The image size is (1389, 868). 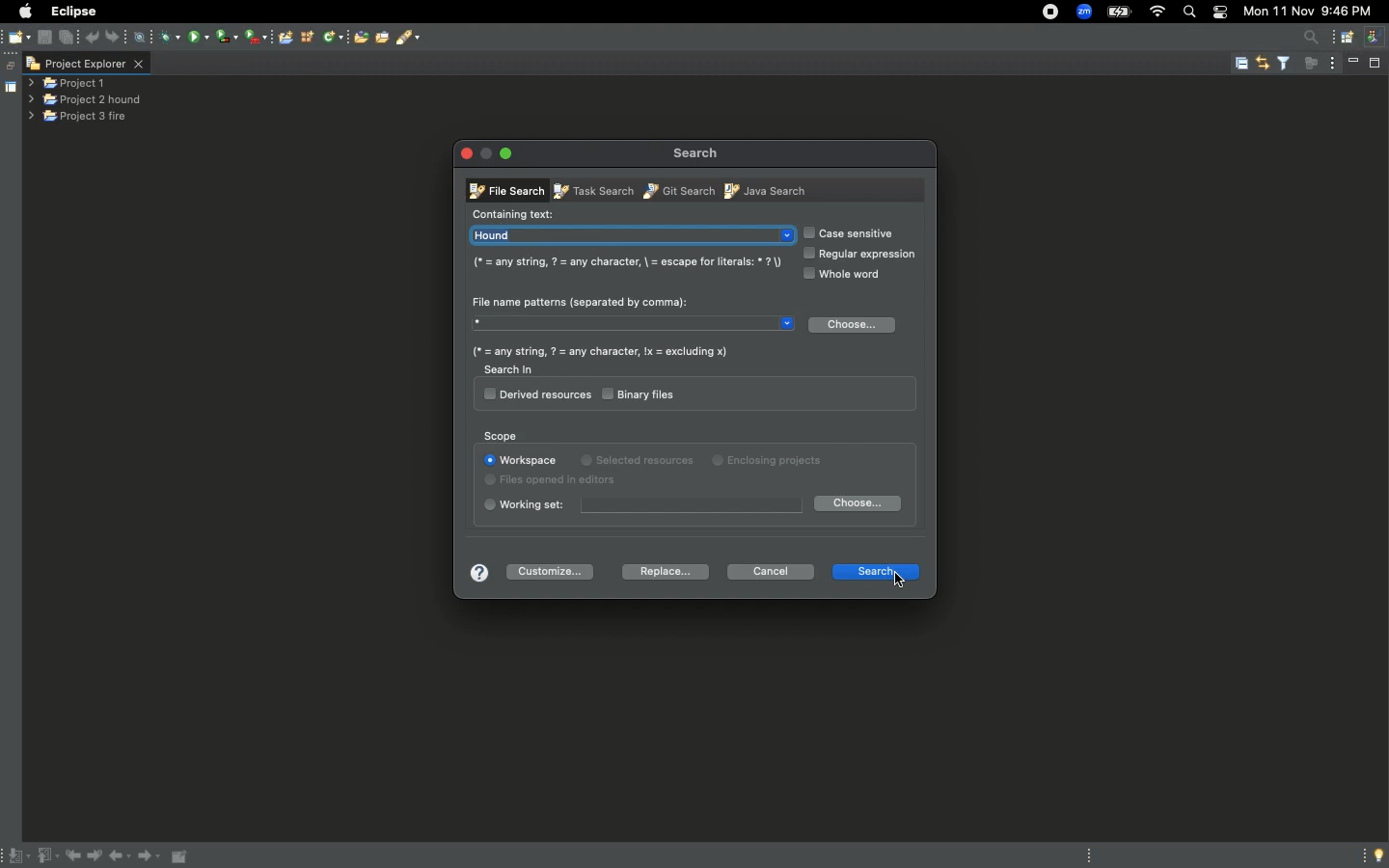 What do you see at coordinates (68, 84) in the screenshot?
I see `project 1` at bounding box center [68, 84].